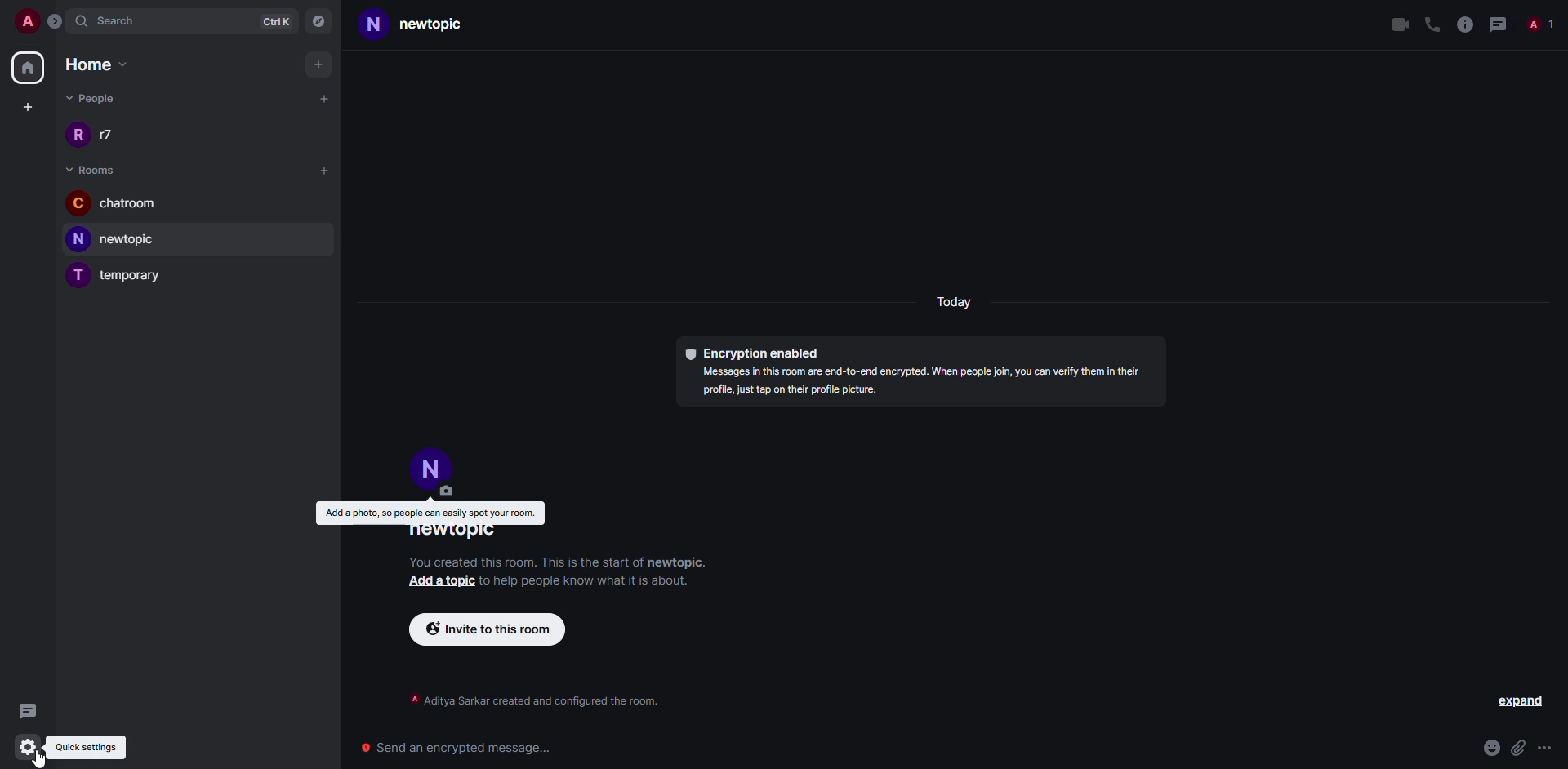 The image size is (1568, 769). What do you see at coordinates (87, 746) in the screenshot?
I see `quick settings` at bounding box center [87, 746].